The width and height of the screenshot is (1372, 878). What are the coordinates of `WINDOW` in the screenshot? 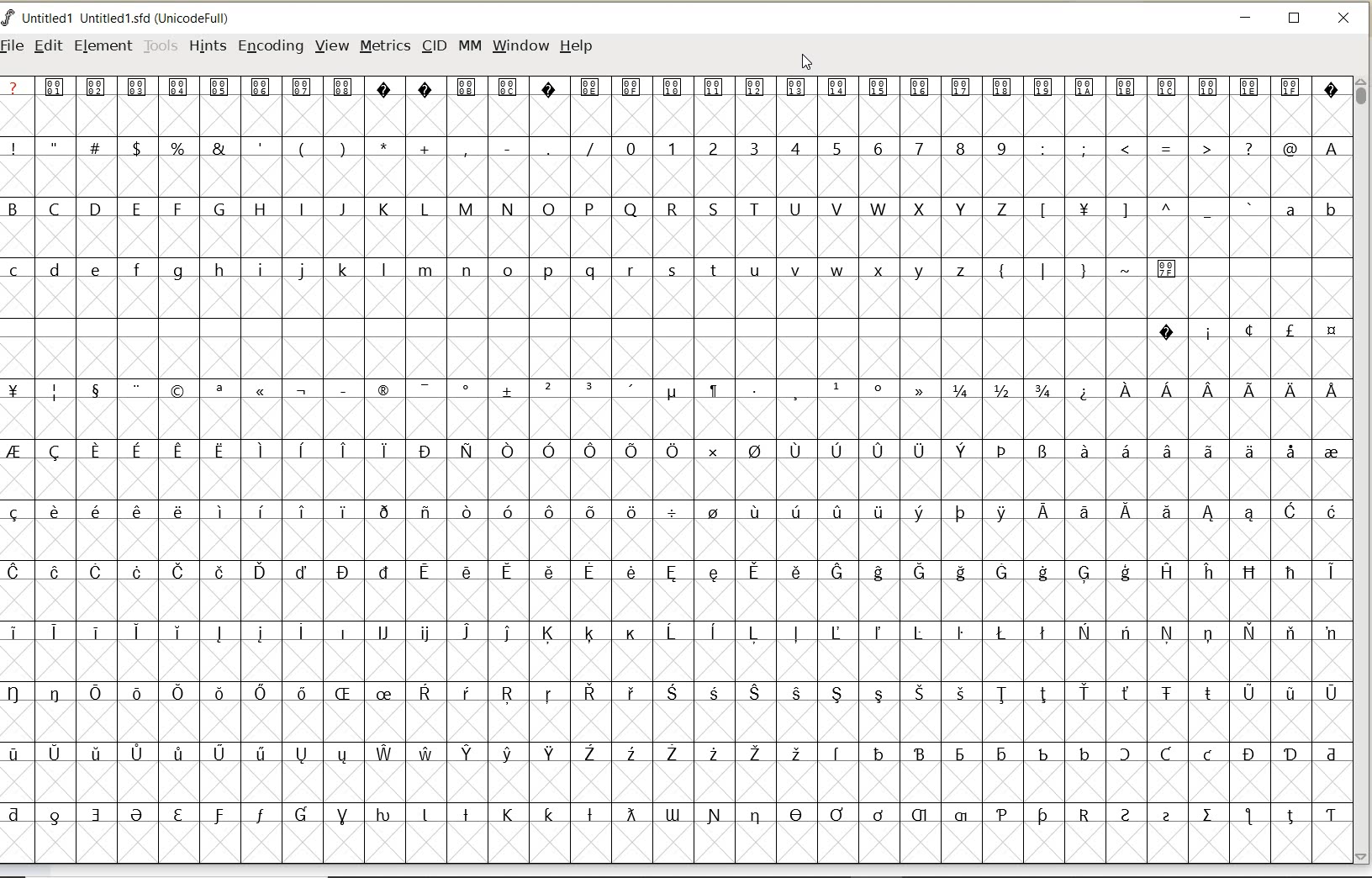 It's located at (520, 45).